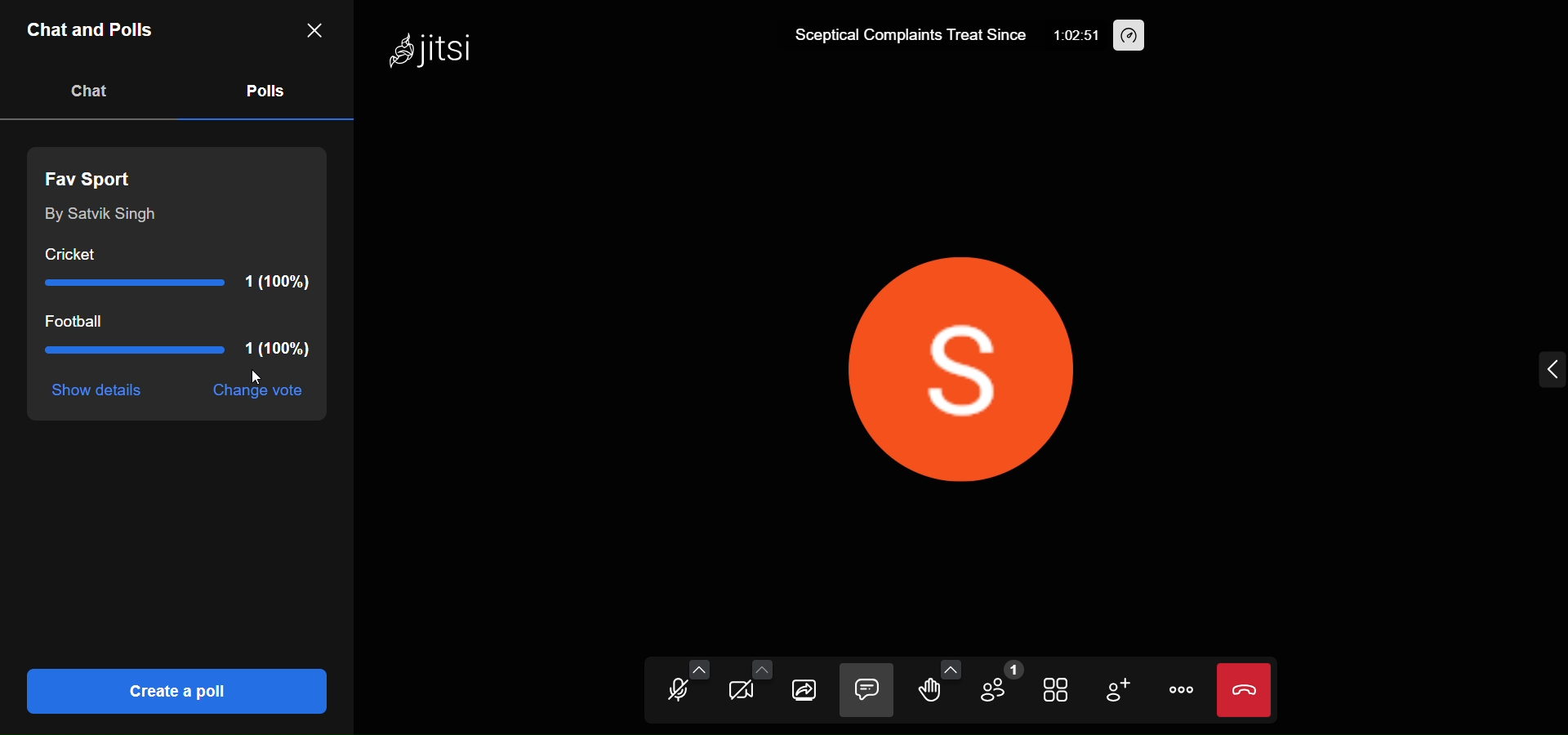 The image size is (1568, 735). What do you see at coordinates (908, 38) in the screenshot?
I see `Sceptical Complaints Treat Since` at bounding box center [908, 38].